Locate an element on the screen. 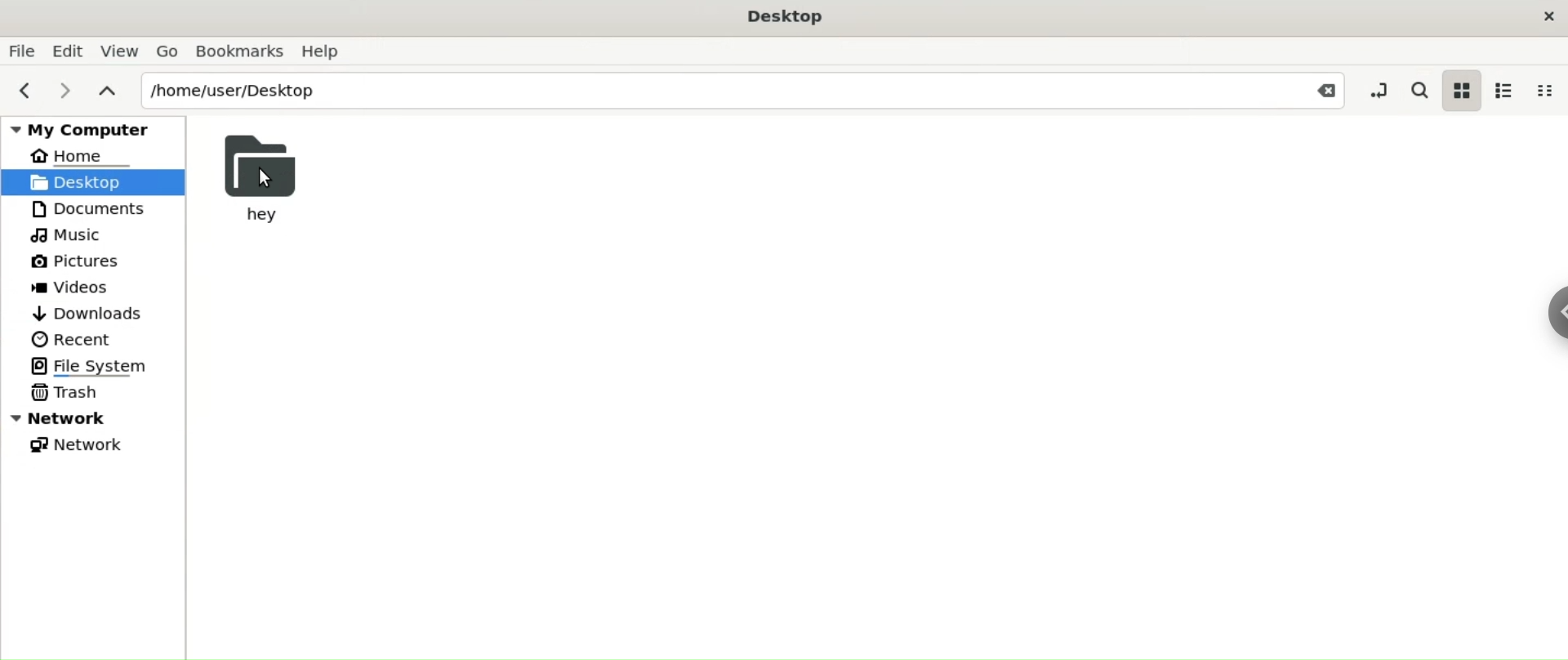 This screenshot has height=660, width=1568. next is located at coordinates (60, 89).